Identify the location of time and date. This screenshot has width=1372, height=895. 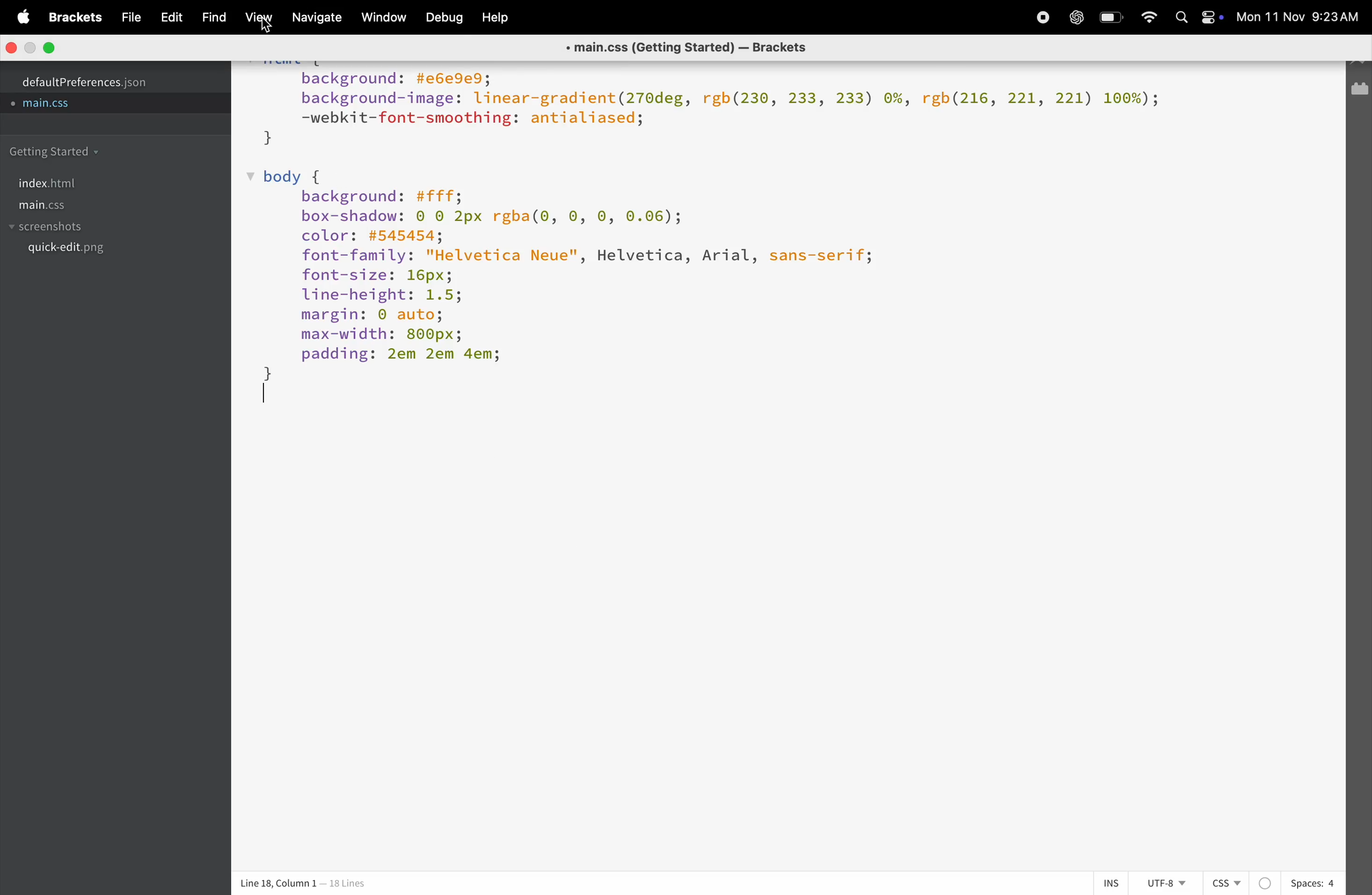
(1301, 18).